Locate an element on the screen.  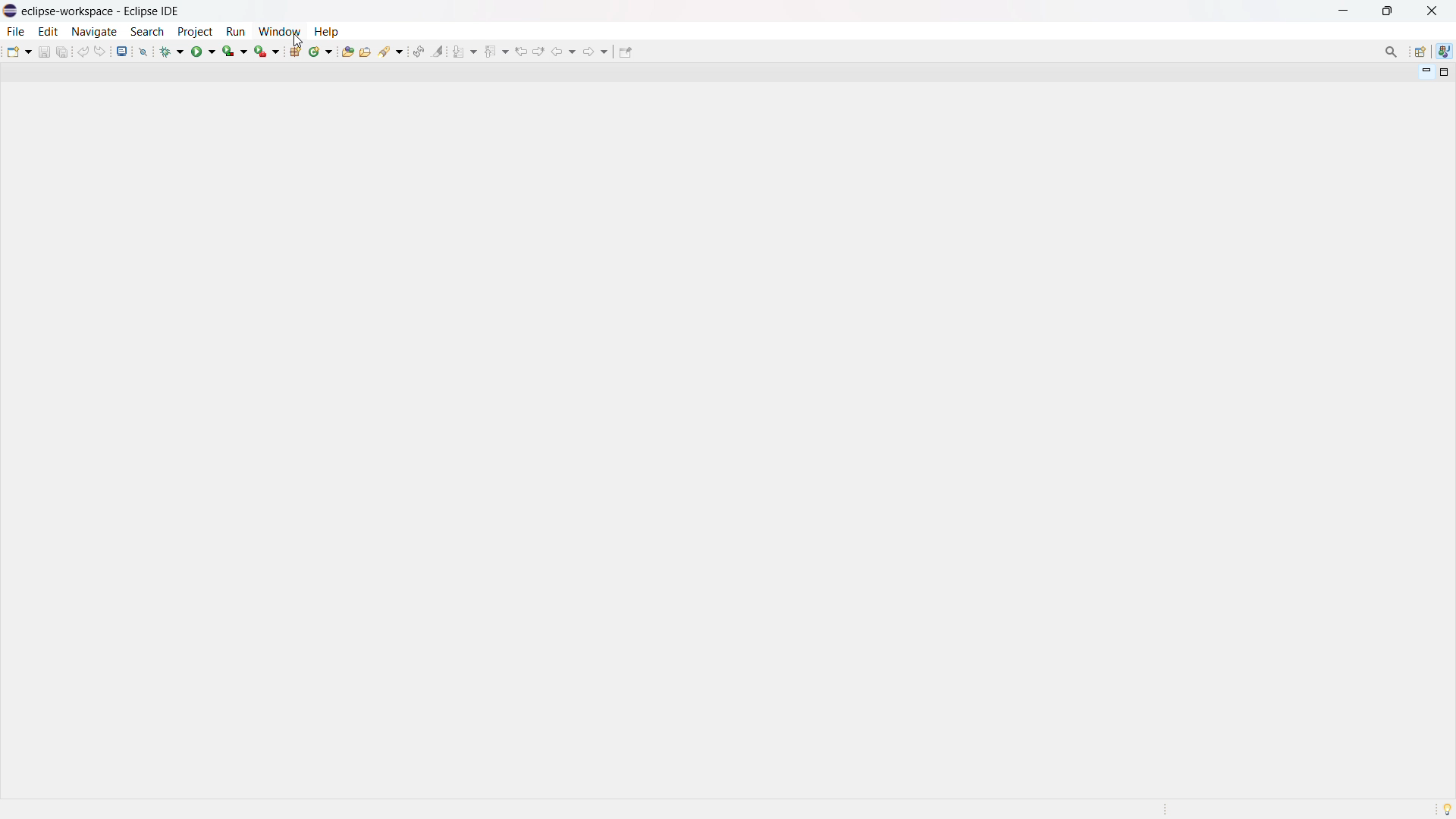
search is located at coordinates (147, 32).